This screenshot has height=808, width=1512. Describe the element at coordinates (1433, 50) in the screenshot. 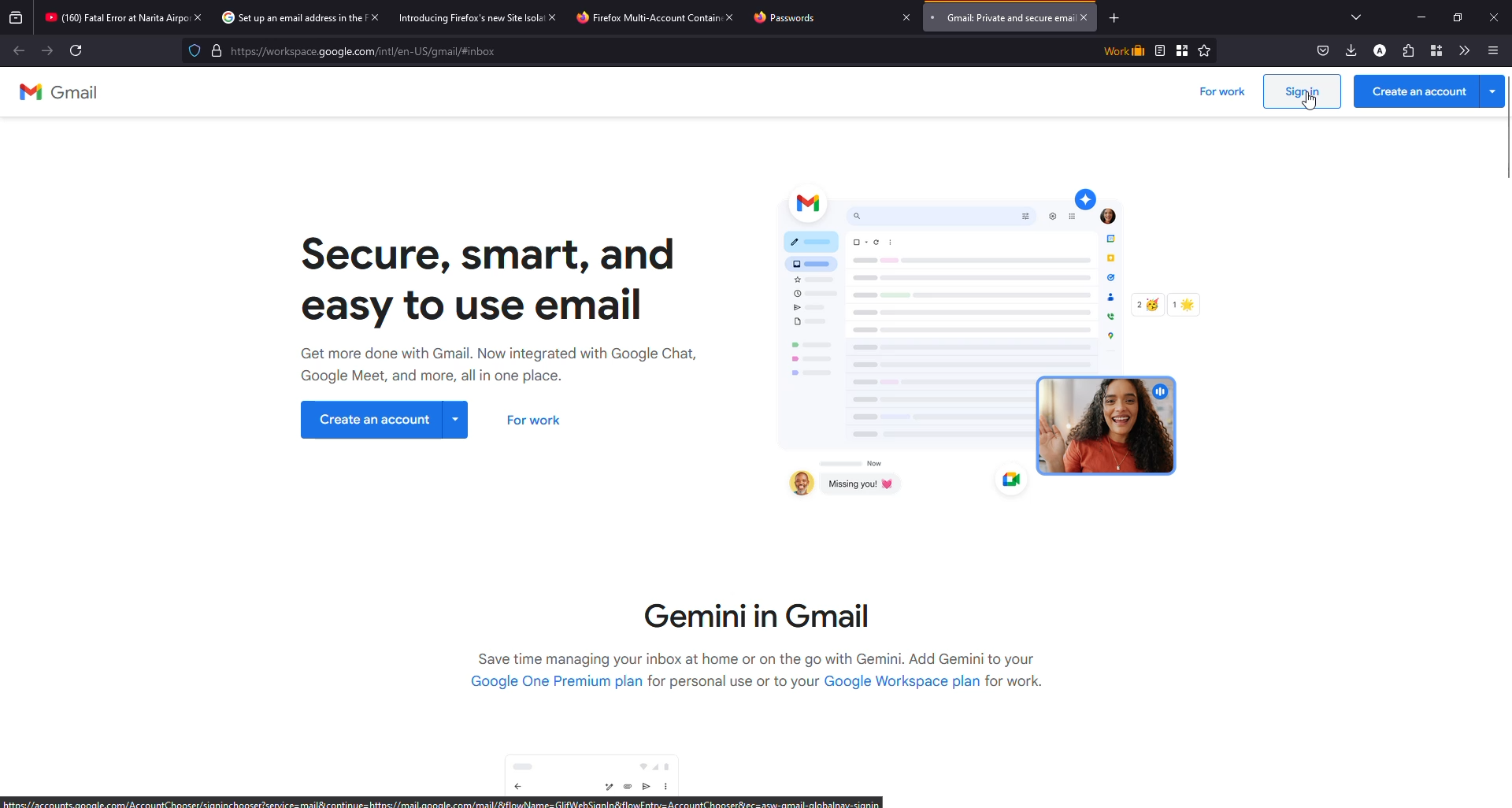

I see `container` at that location.